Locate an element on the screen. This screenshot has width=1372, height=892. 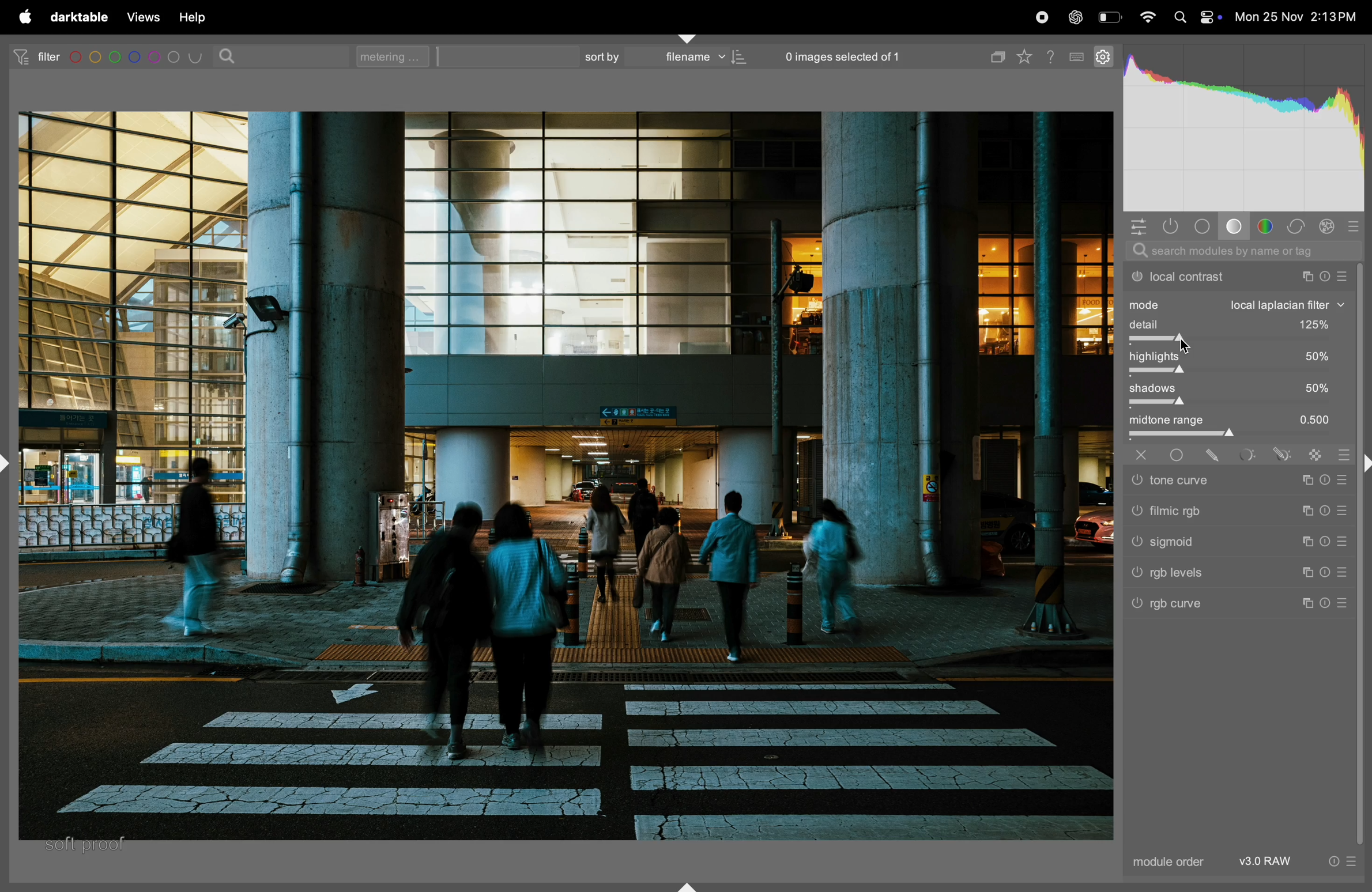
search is located at coordinates (230, 55).